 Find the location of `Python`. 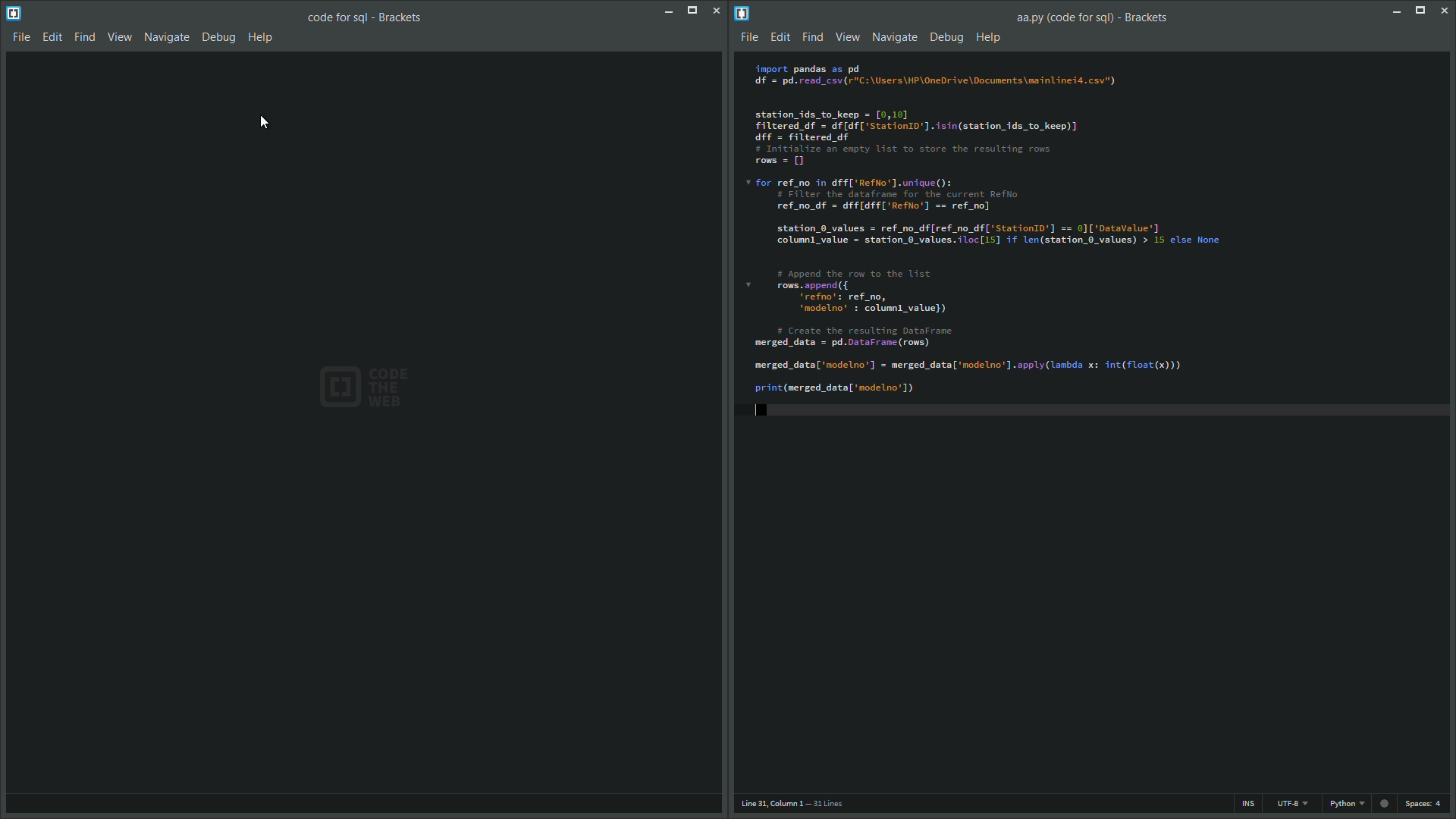

Python is located at coordinates (1345, 805).